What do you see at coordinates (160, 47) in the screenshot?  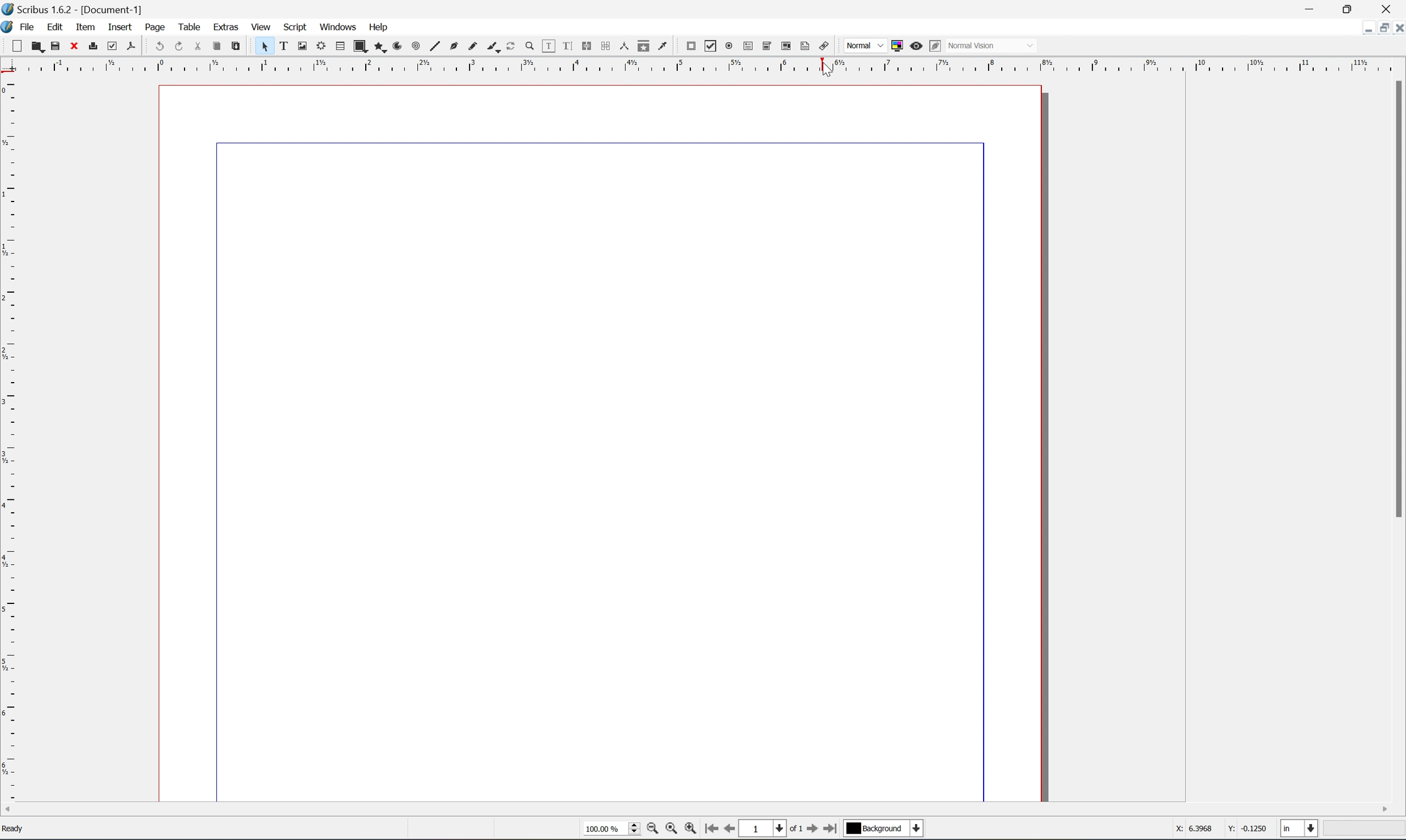 I see `undo` at bounding box center [160, 47].